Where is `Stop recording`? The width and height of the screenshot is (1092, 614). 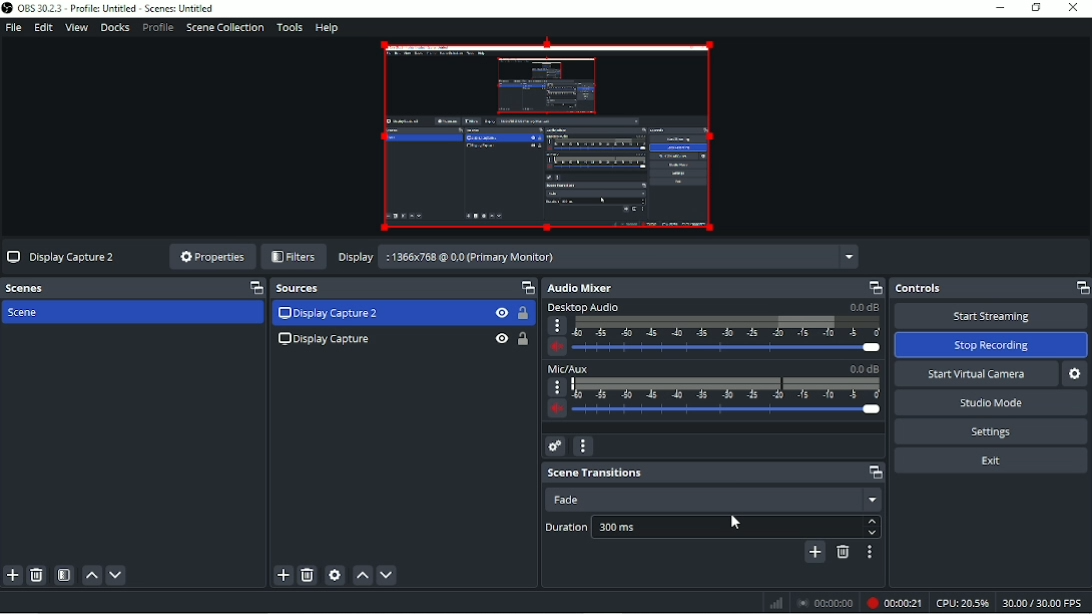 Stop recording is located at coordinates (826, 602).